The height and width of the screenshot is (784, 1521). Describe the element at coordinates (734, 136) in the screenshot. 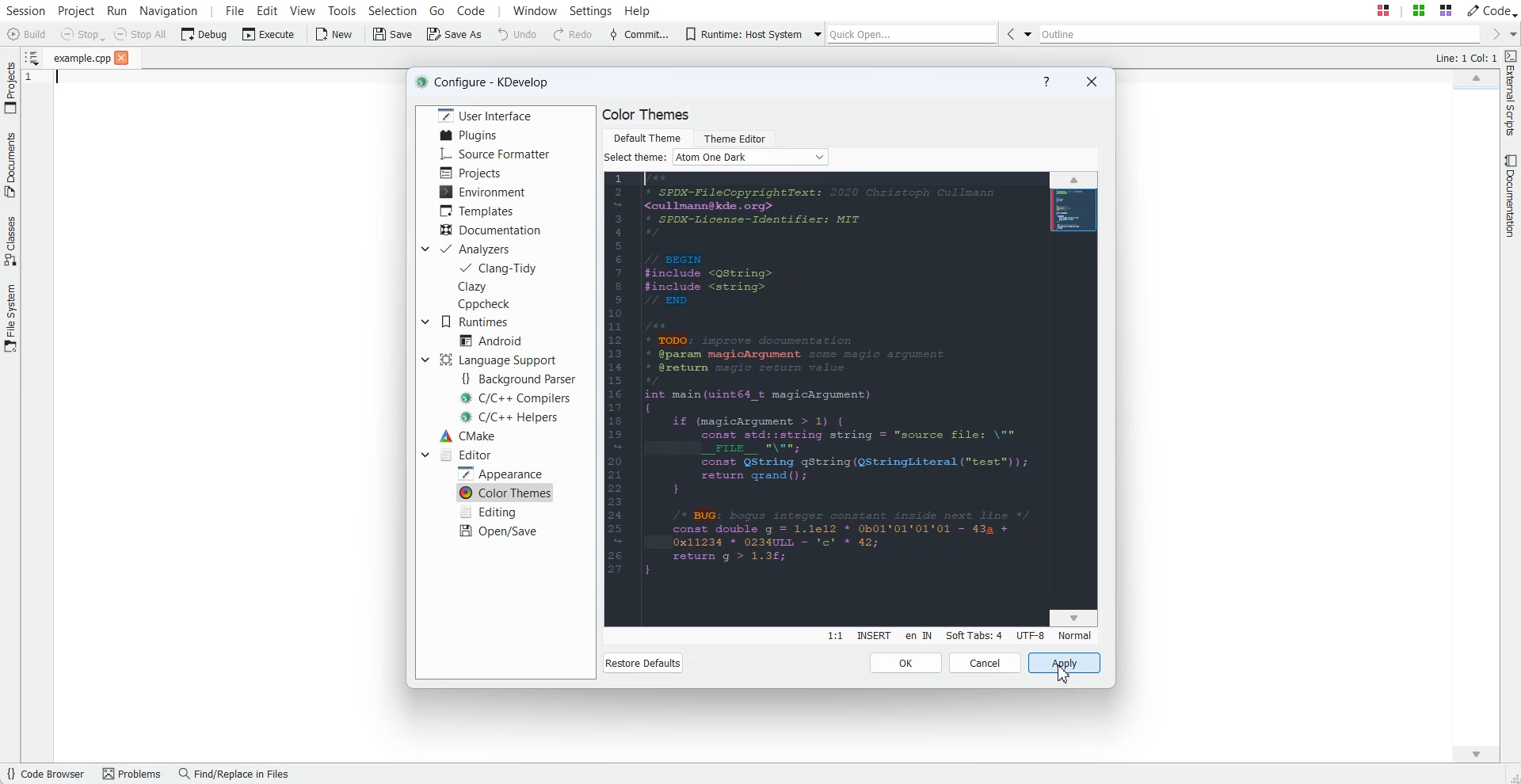

I see `Theme Editor` at that location.